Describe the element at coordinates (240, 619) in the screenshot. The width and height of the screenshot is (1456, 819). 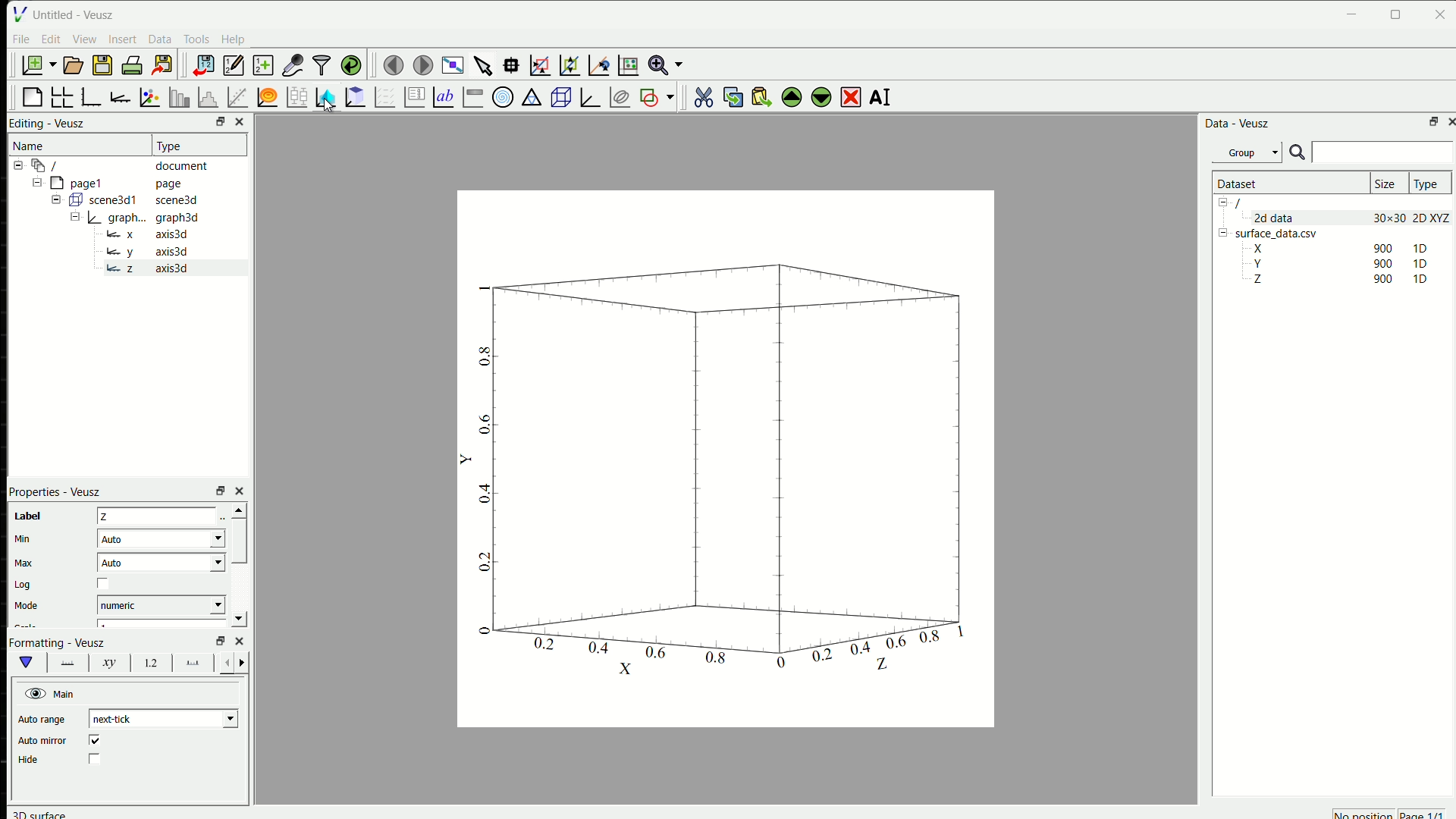
I see `scroll down` at that location.